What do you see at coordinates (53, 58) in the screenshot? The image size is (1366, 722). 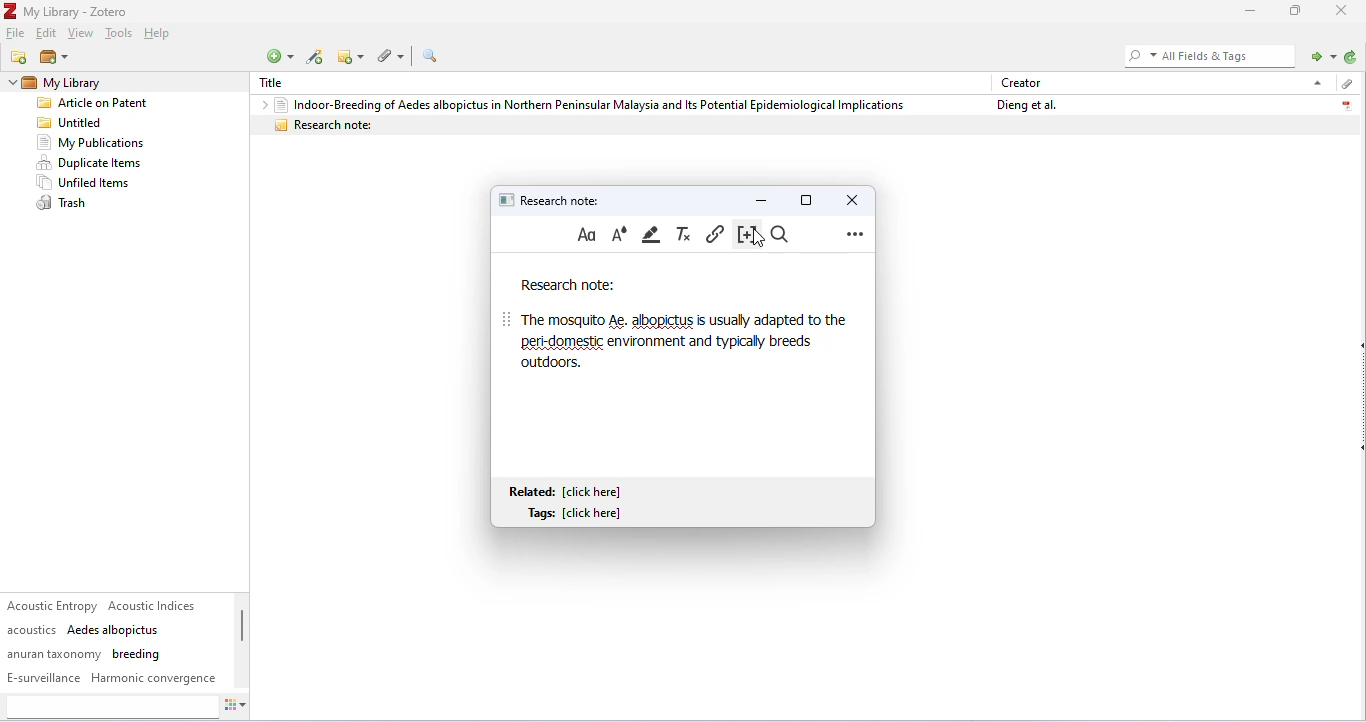 I see `new library` at bounding box center [53, 58].